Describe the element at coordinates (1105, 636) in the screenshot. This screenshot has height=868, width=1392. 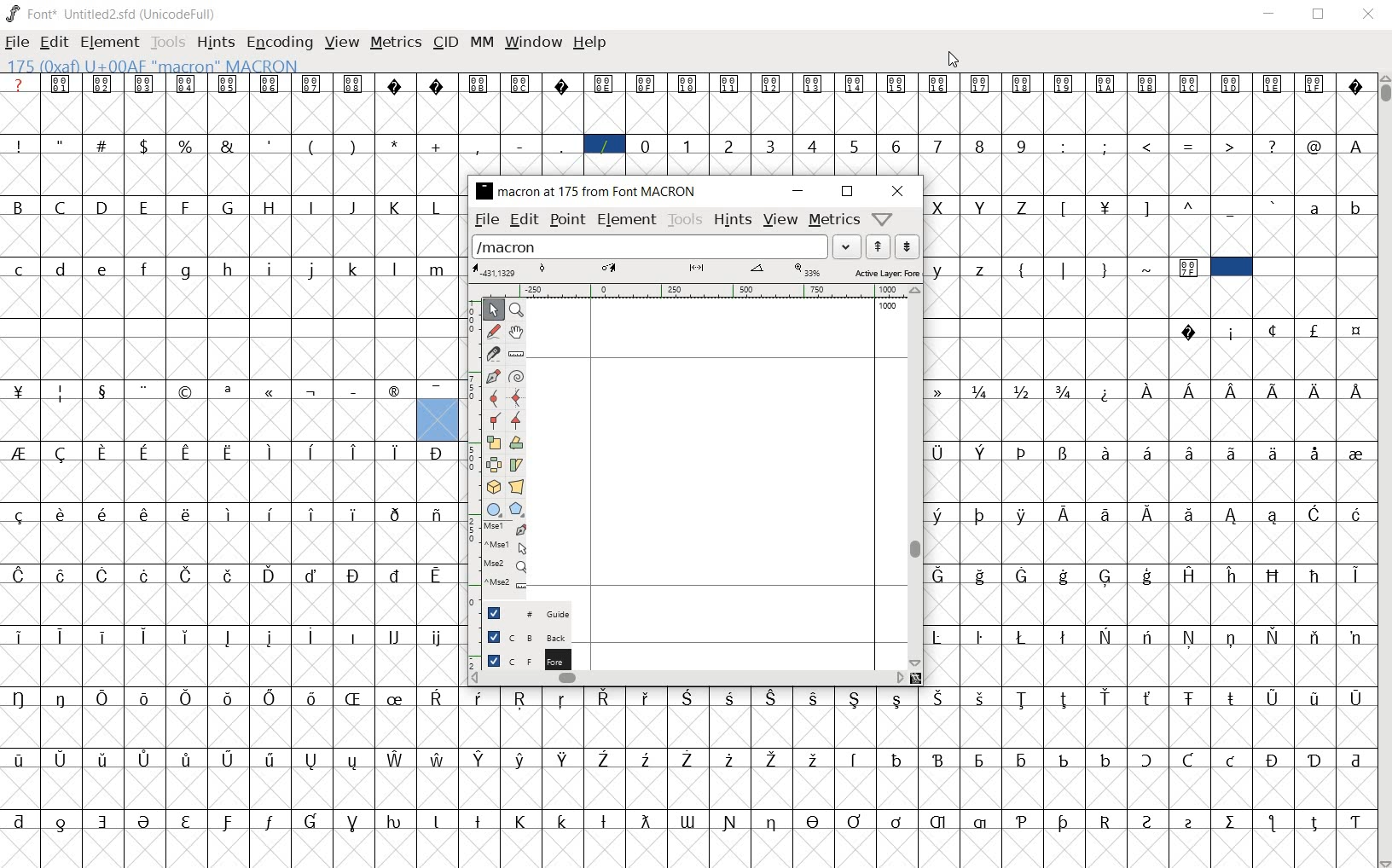
I see `Symbol` at that location.